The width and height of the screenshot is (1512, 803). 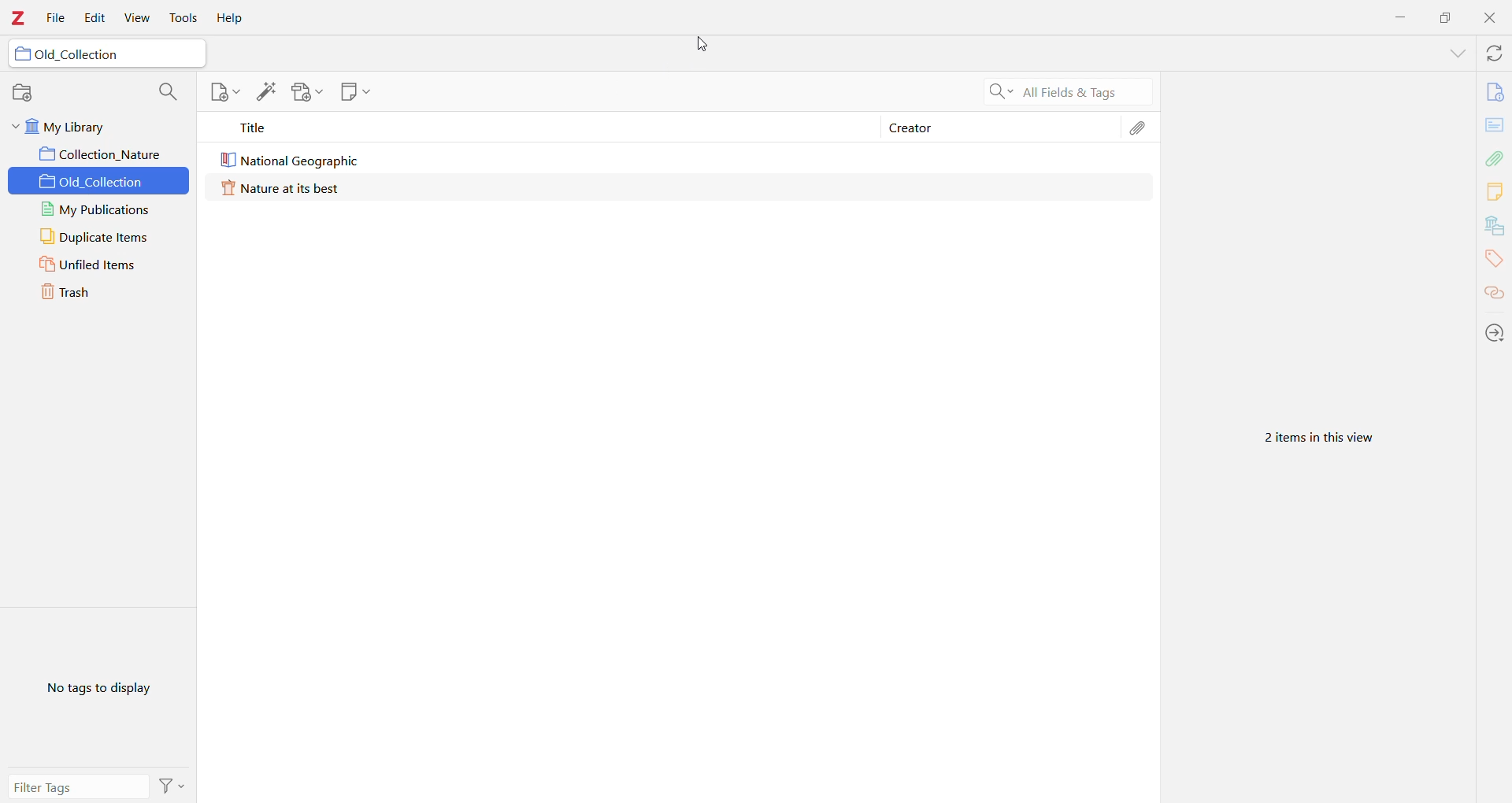 What do you see at coordinates (185, 18) in the screenshot?
I see `Tools` at bounding box center [185, 18].